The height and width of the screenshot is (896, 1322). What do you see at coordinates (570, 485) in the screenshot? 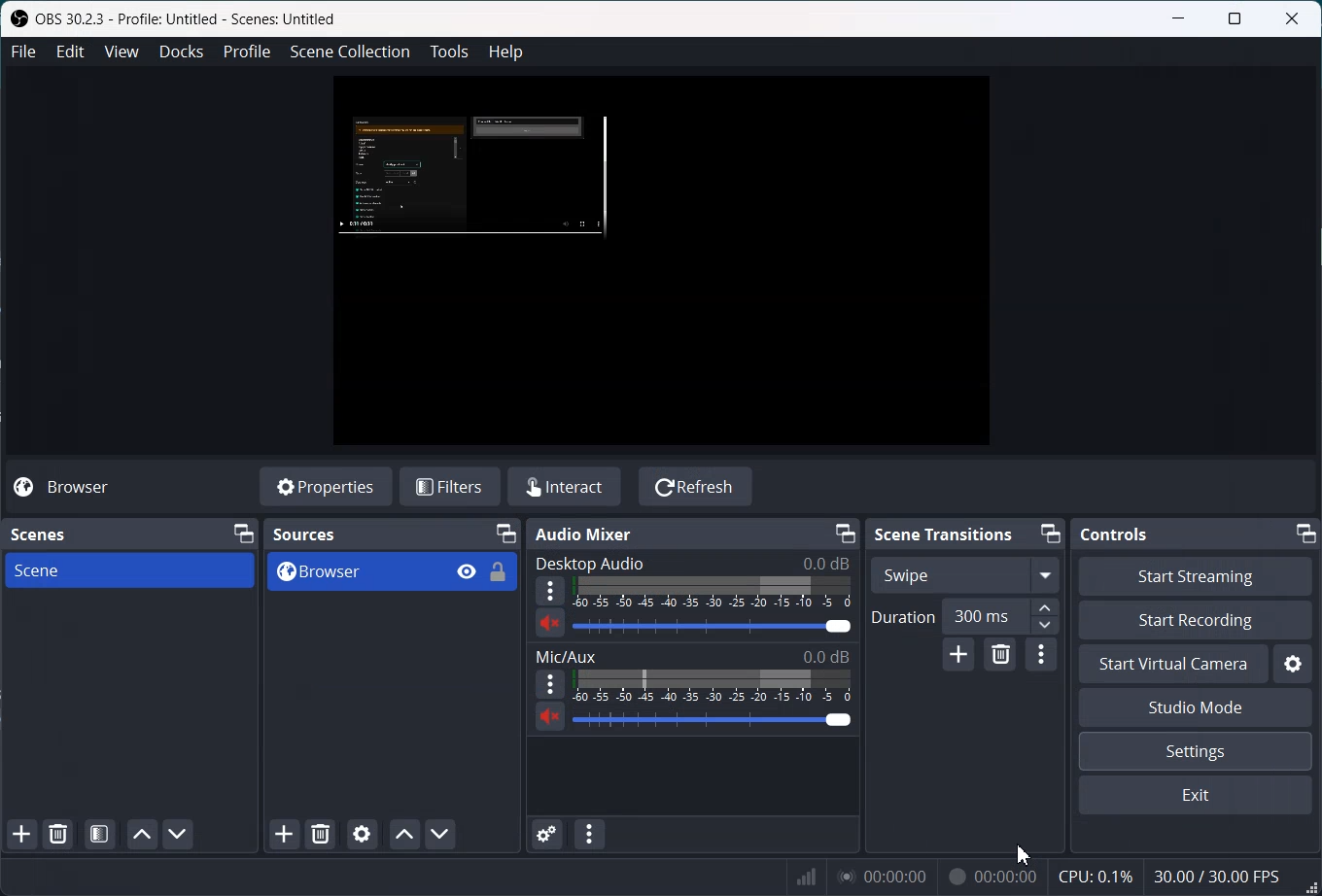
I see `Interact` at bounding box center [570, 485].